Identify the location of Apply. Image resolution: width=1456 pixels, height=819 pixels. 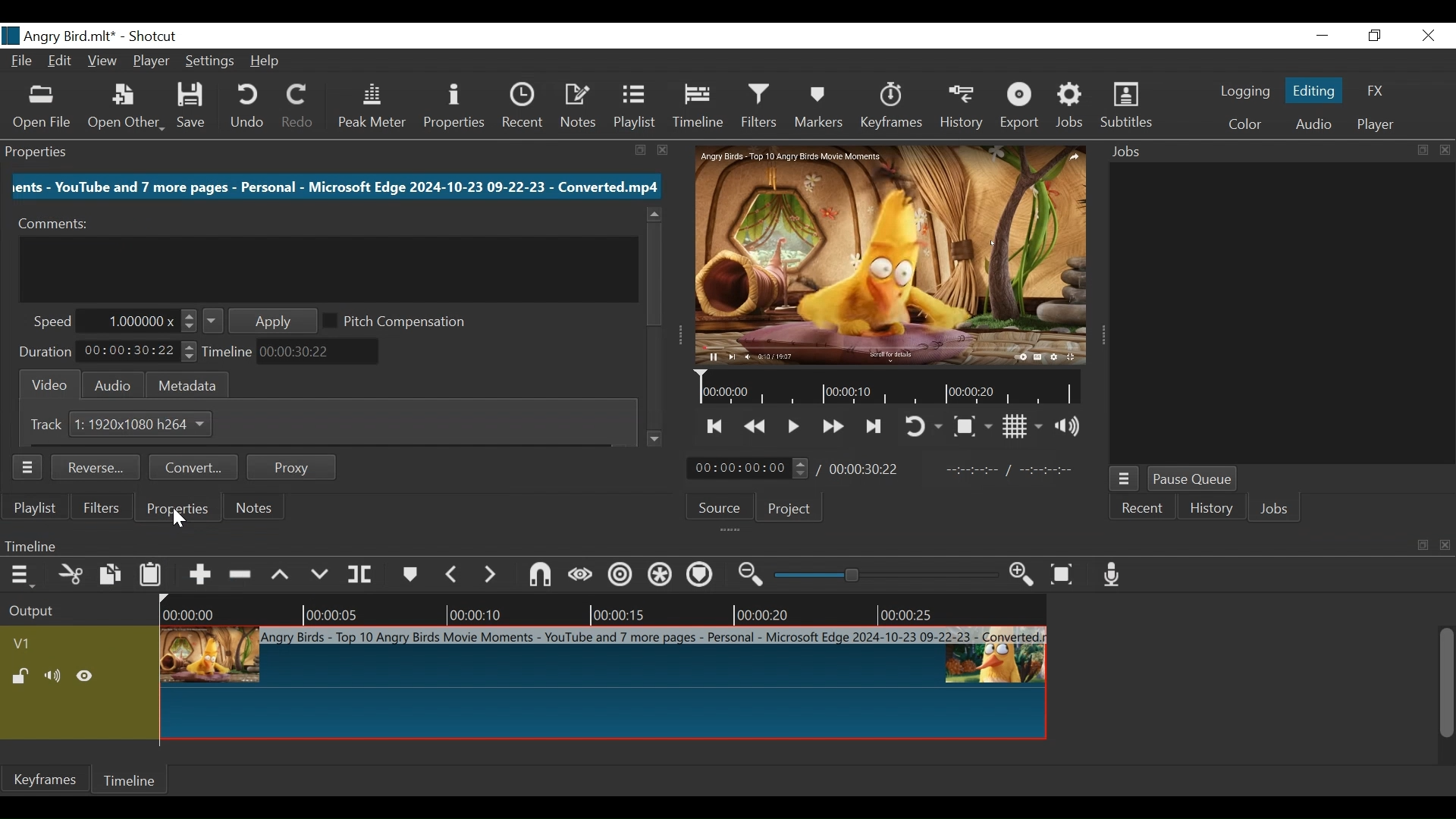
(260, 322).